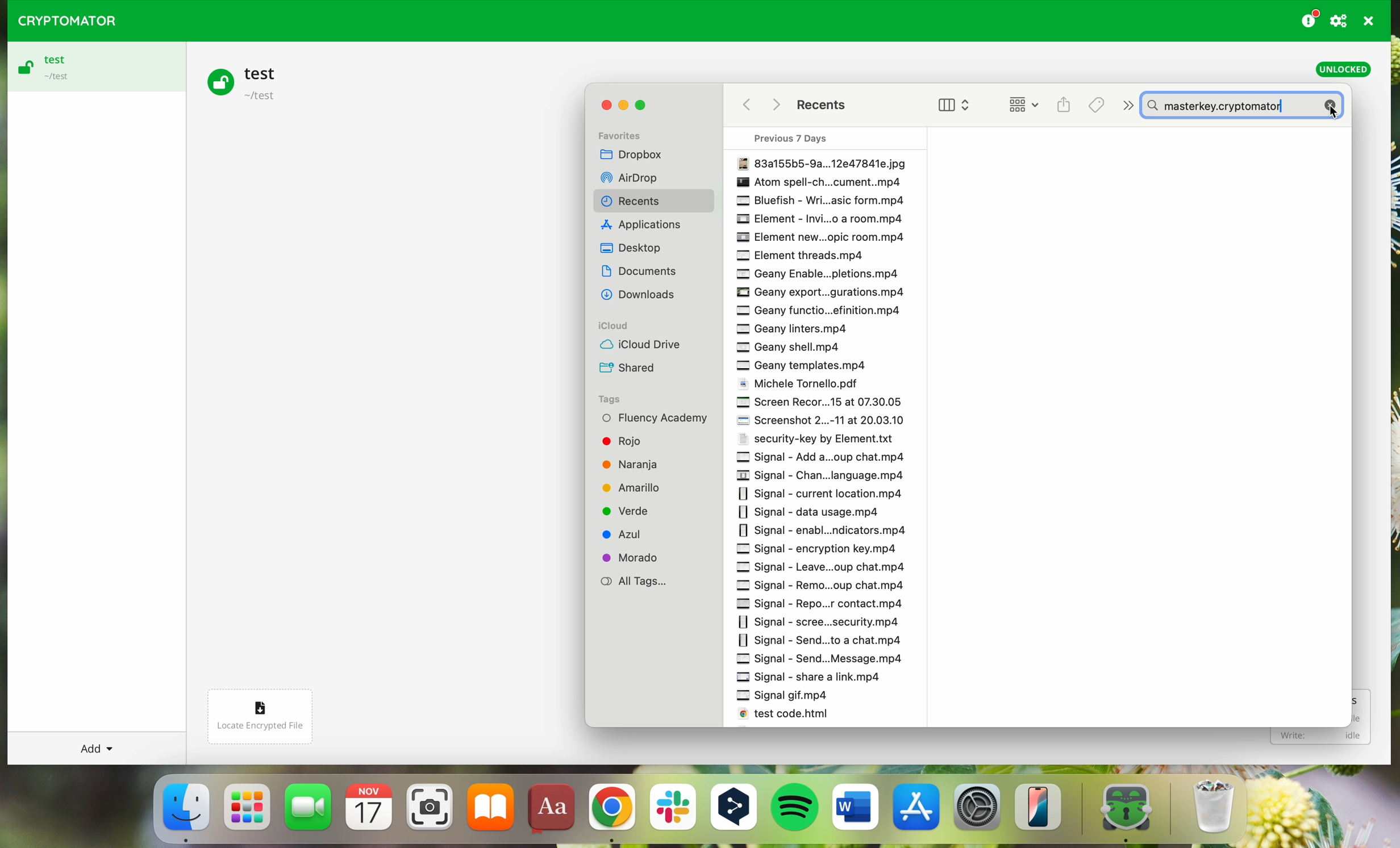  What do you see at coordinates (836, 569) in the screenshot?
I see `signal leave` at bounding box center [836, 569].